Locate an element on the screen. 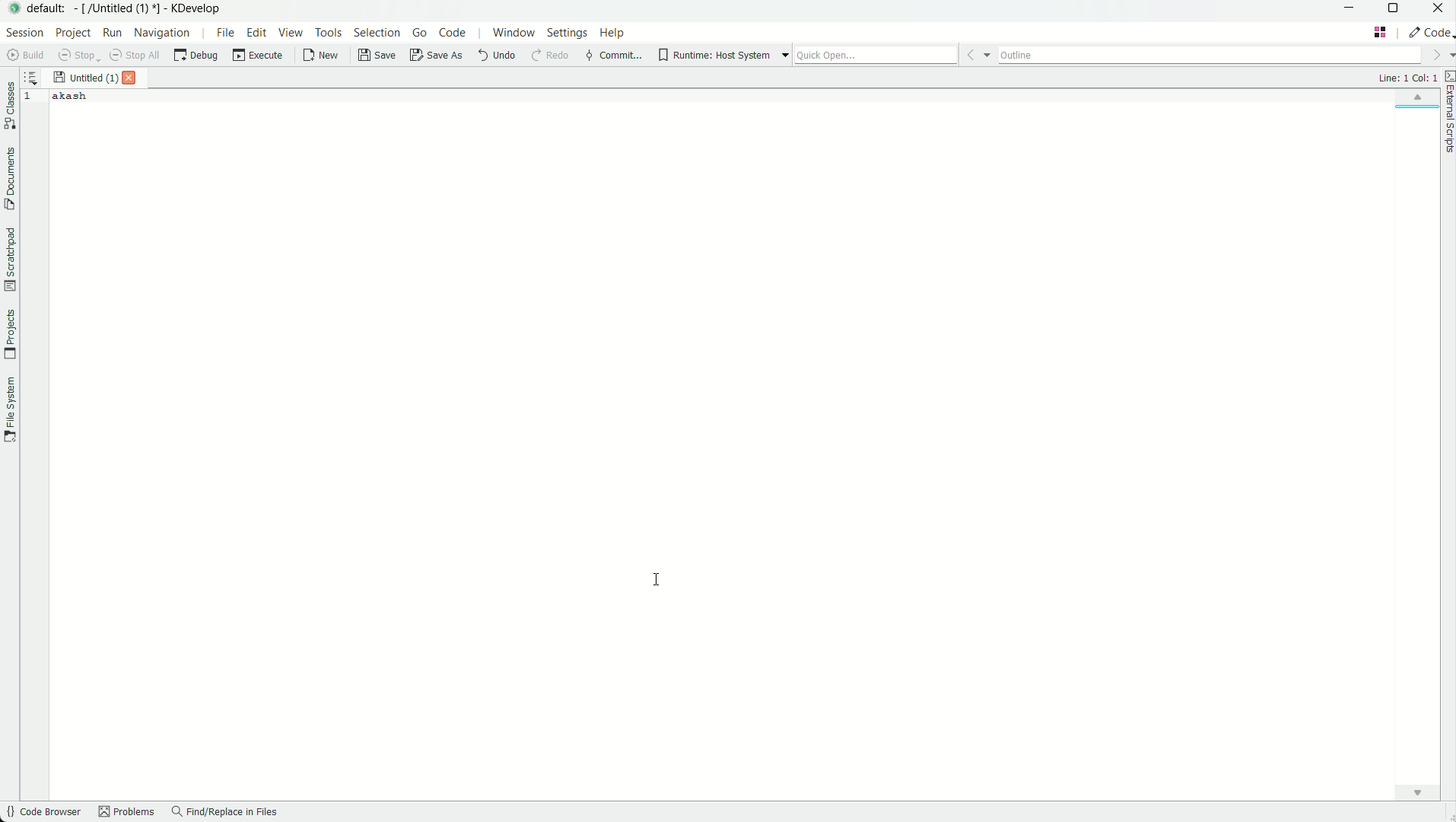 Image resolution: width=1456 pixels, height=822 pixels. redo is located at coordinates (548, 56).